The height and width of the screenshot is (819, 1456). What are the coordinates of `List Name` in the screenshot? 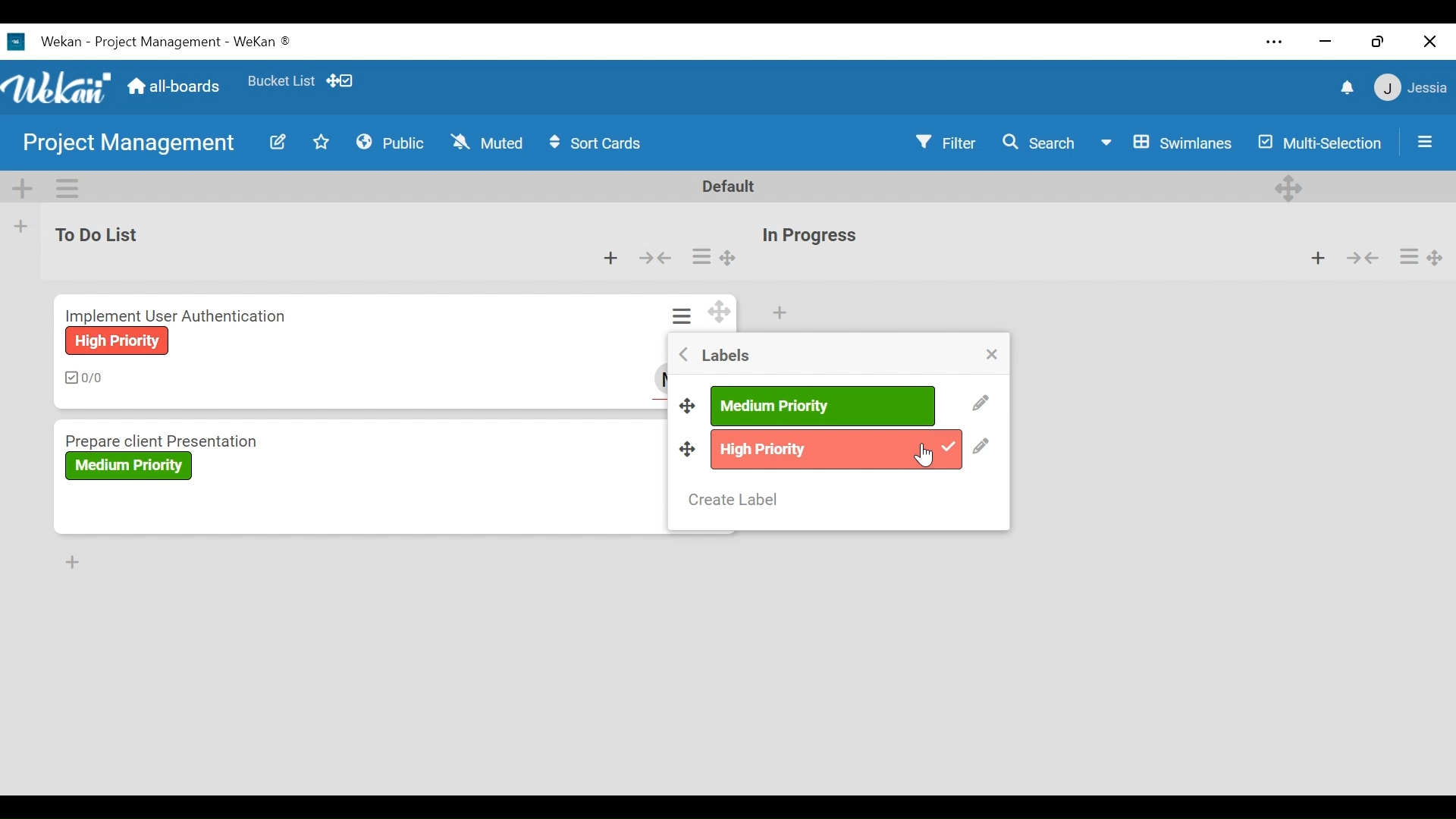 It's located at (94, 234).